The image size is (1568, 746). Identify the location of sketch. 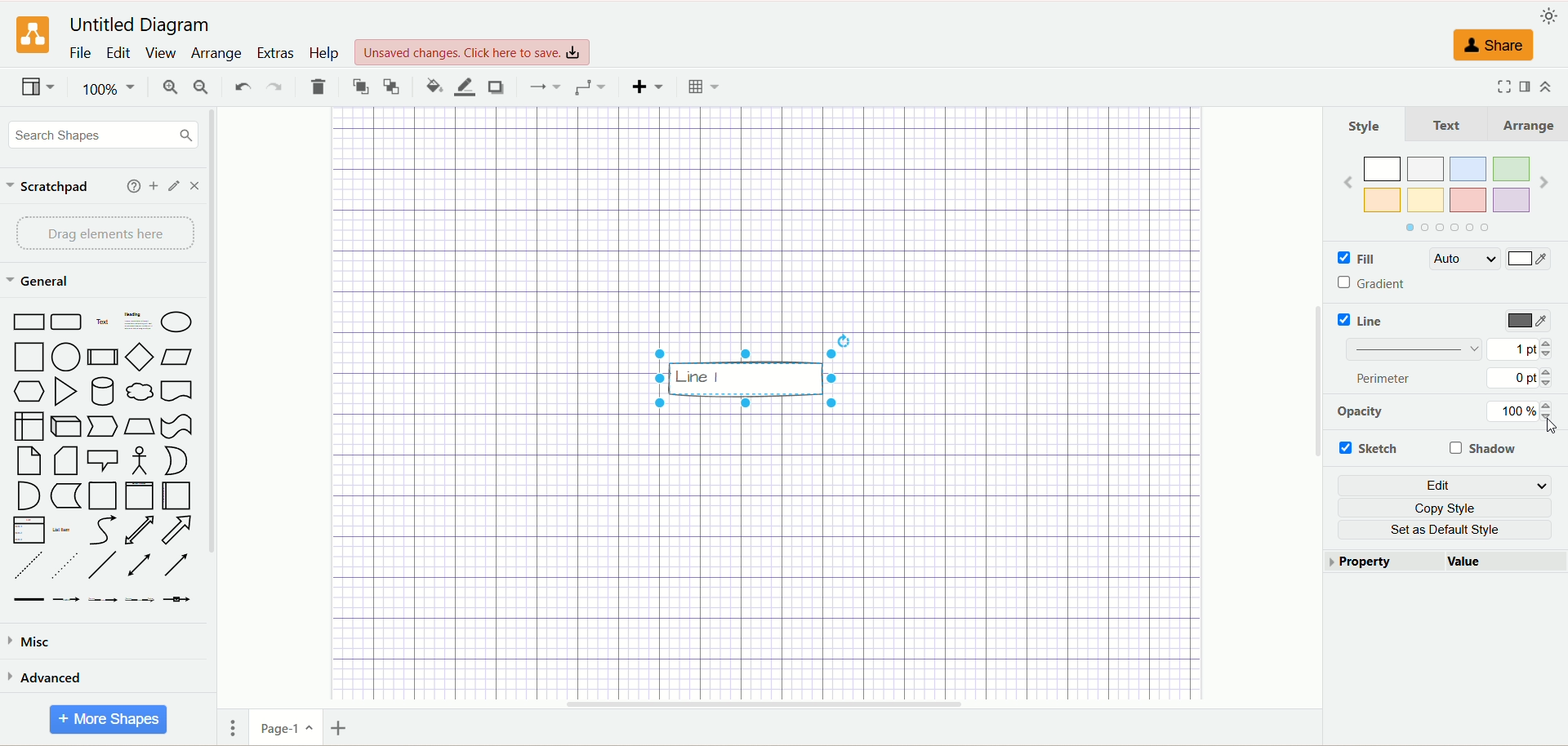
(1371, 446).